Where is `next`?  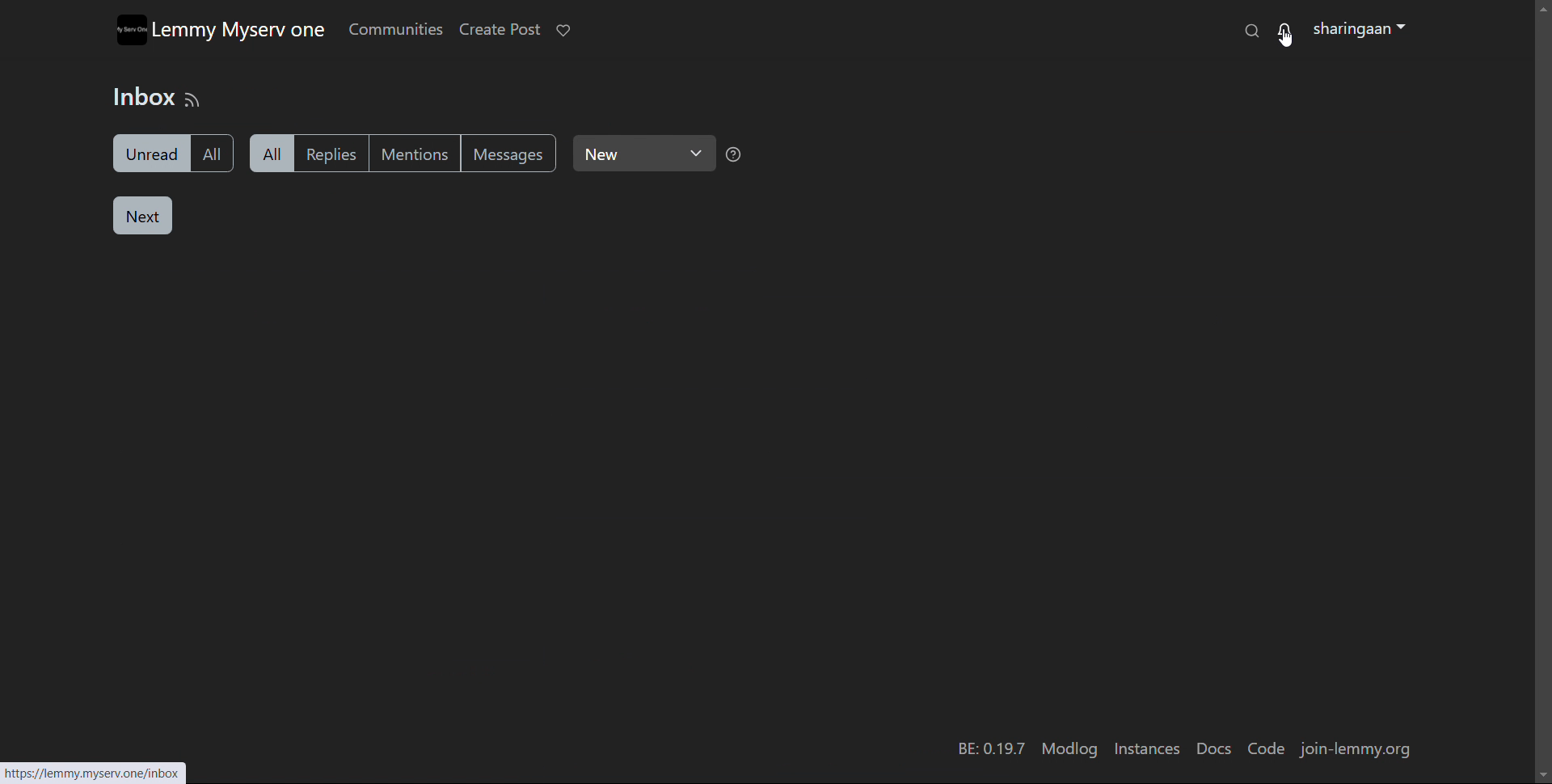
next is located at coordinates (143, 216).